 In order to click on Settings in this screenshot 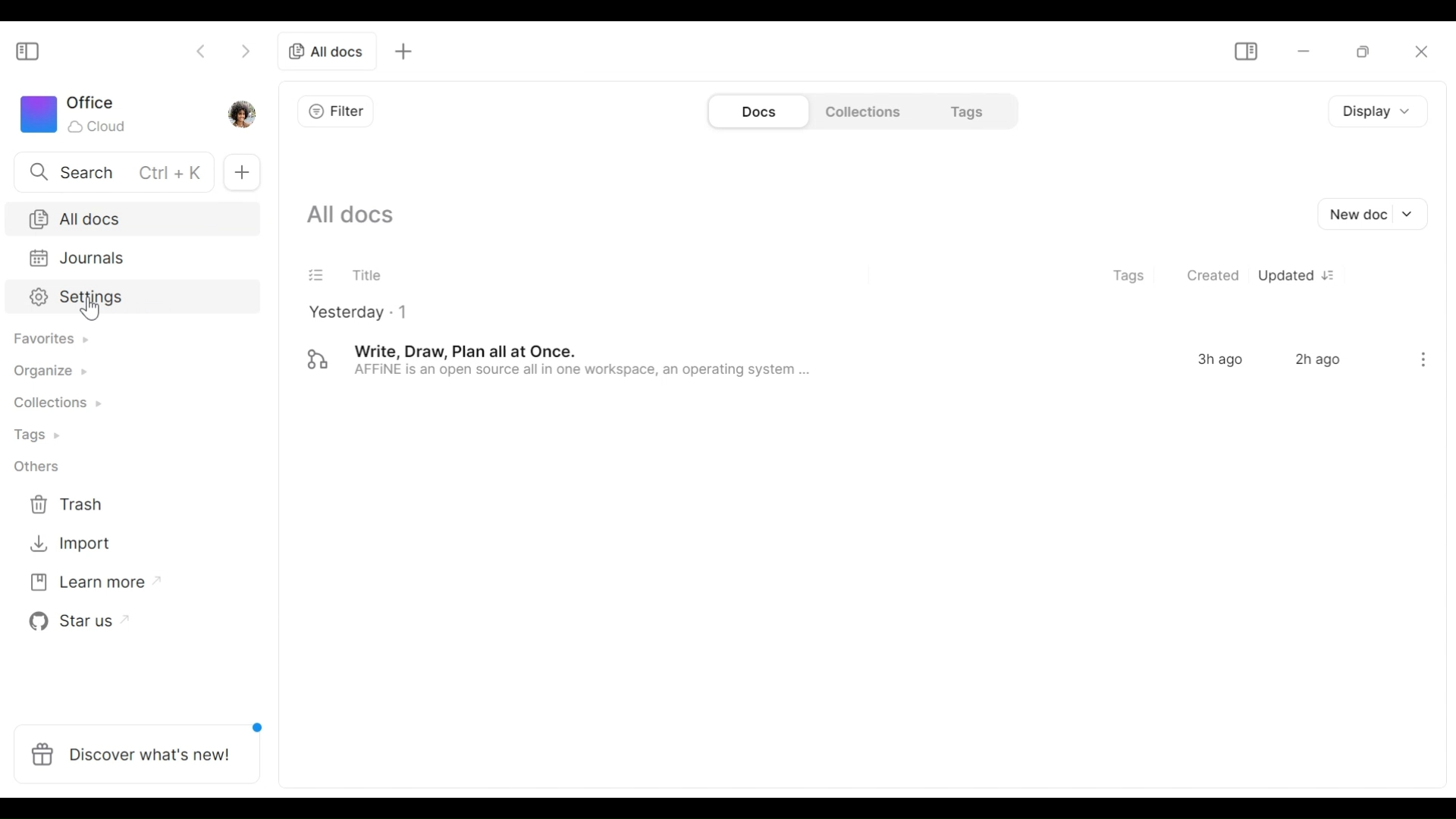, I will do `click(126, 297)`.